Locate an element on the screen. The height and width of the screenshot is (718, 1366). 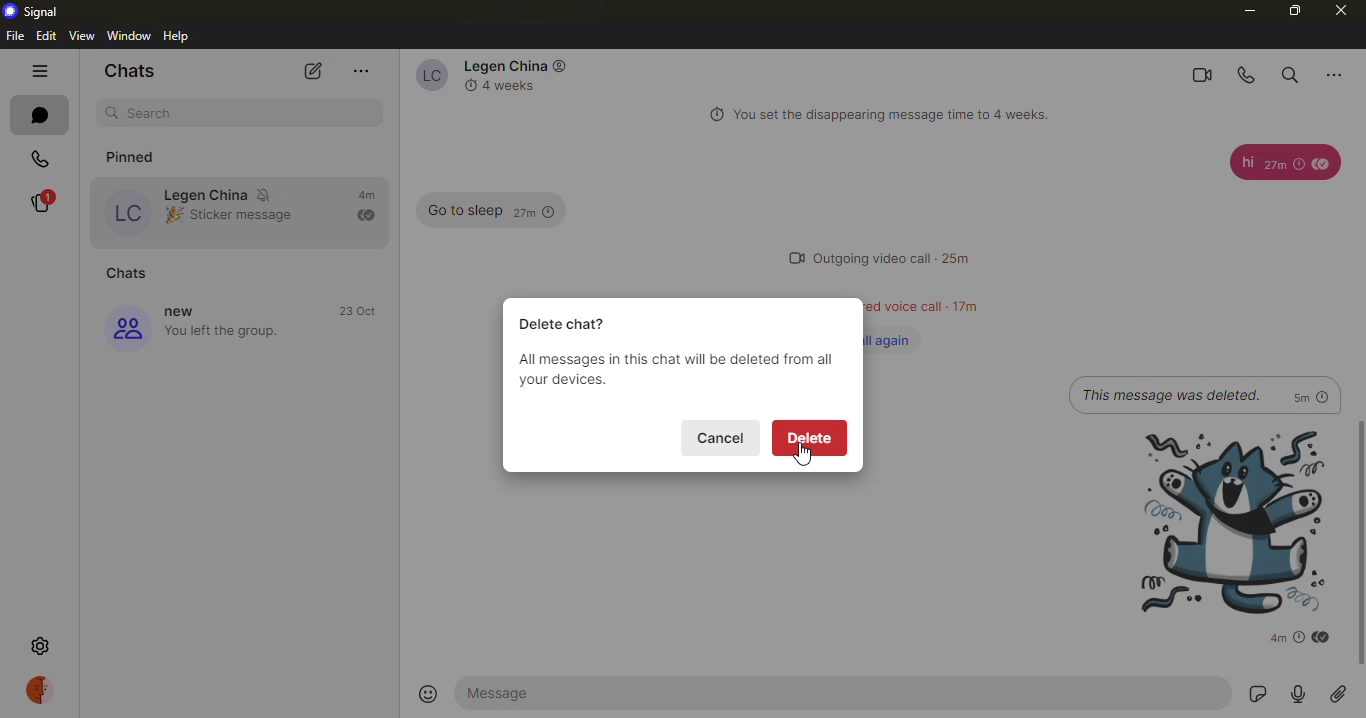
Outgoing video call is located at coordinates (873, 259).